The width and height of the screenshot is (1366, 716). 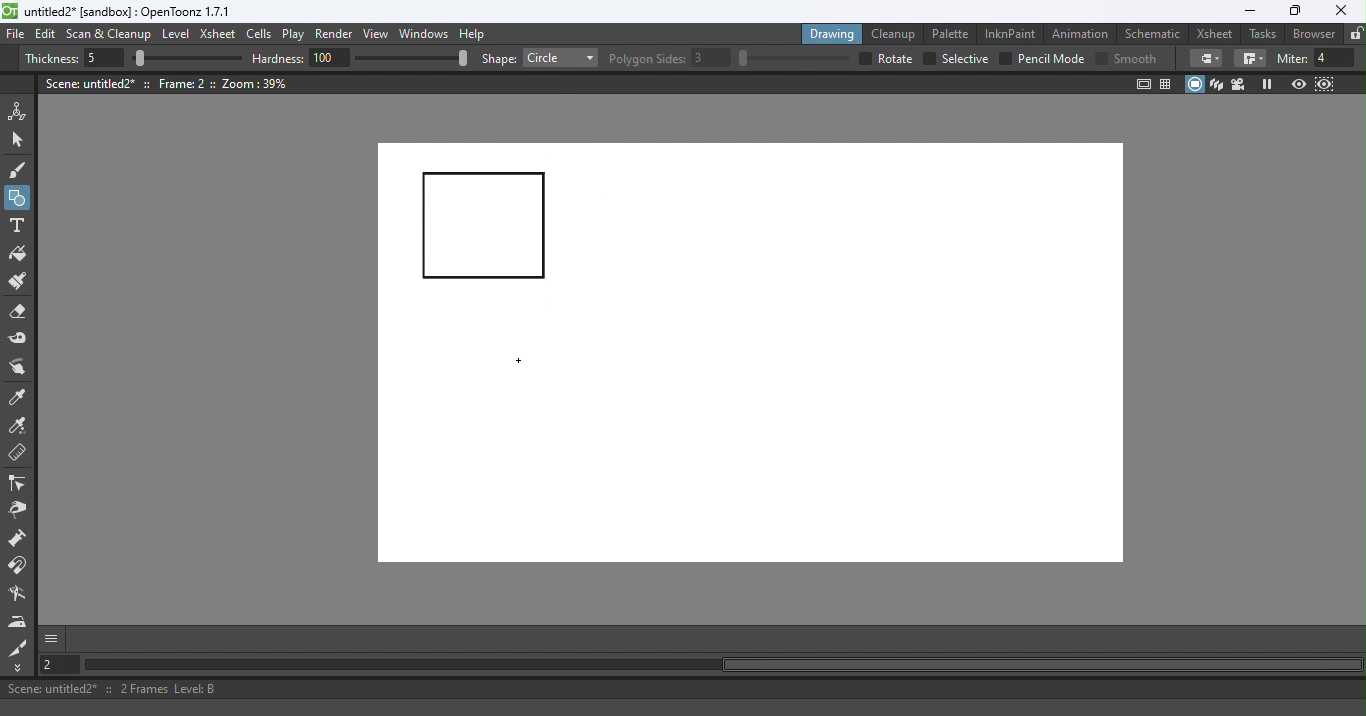 What do you see at coordinates (1083, 32) in the screenshot?
I see `Animation` at bounding box center [1083, 32].